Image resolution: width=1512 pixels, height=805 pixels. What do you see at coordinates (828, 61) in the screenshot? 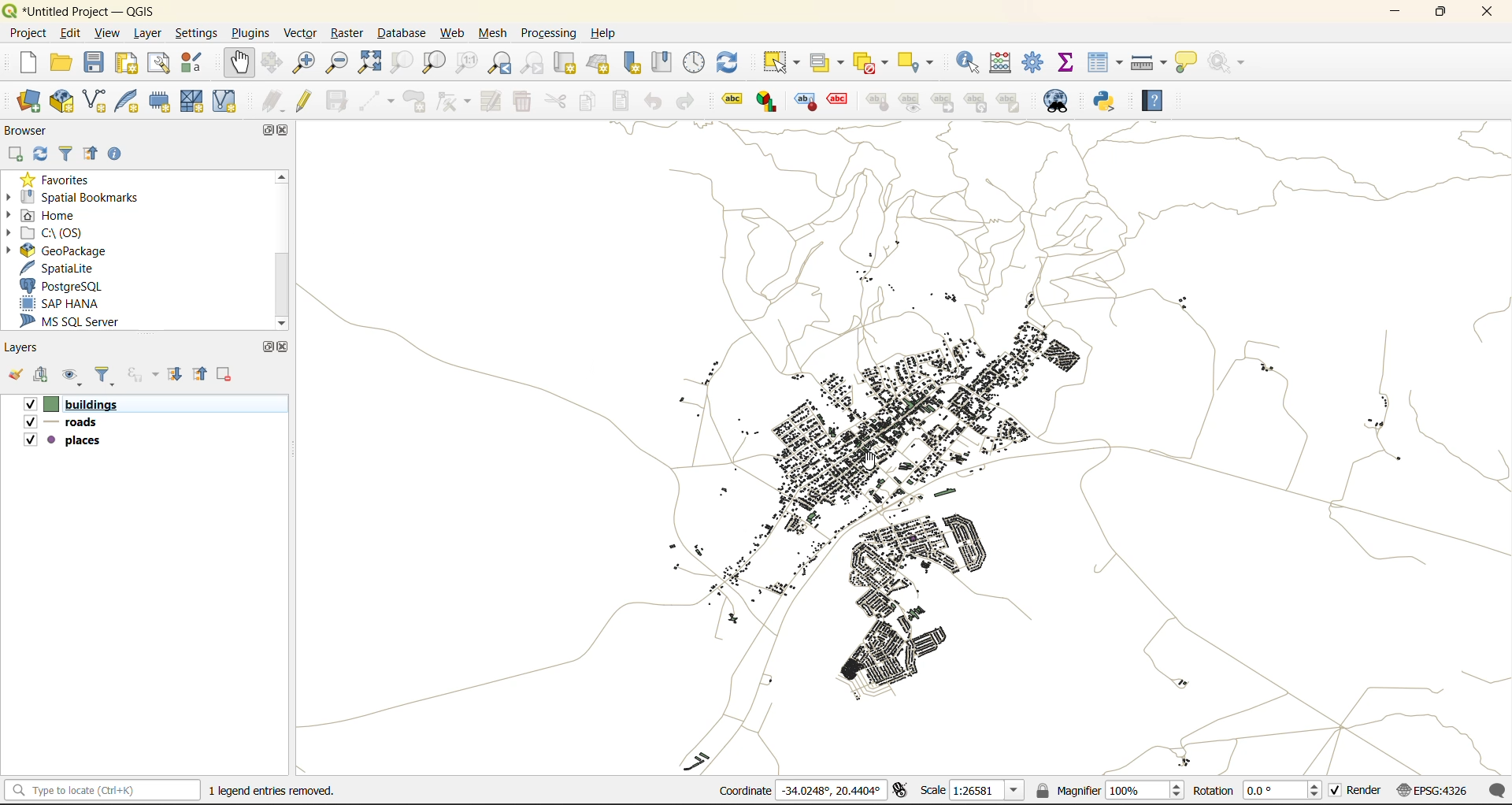
I see `select value` at bounding box center [828, 61].